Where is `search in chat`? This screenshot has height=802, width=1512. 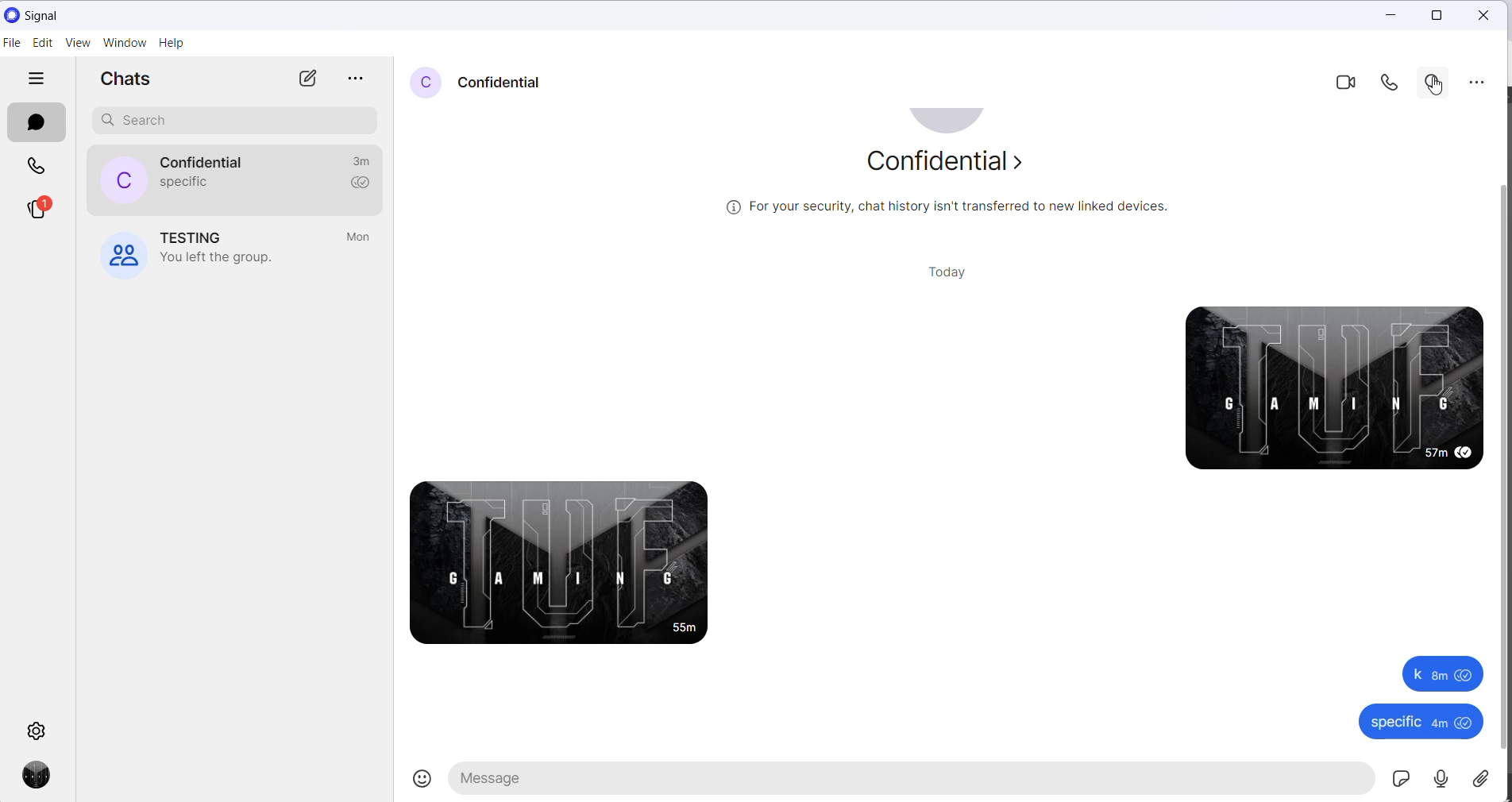 search in chat is located at coordinates (1433, 82).